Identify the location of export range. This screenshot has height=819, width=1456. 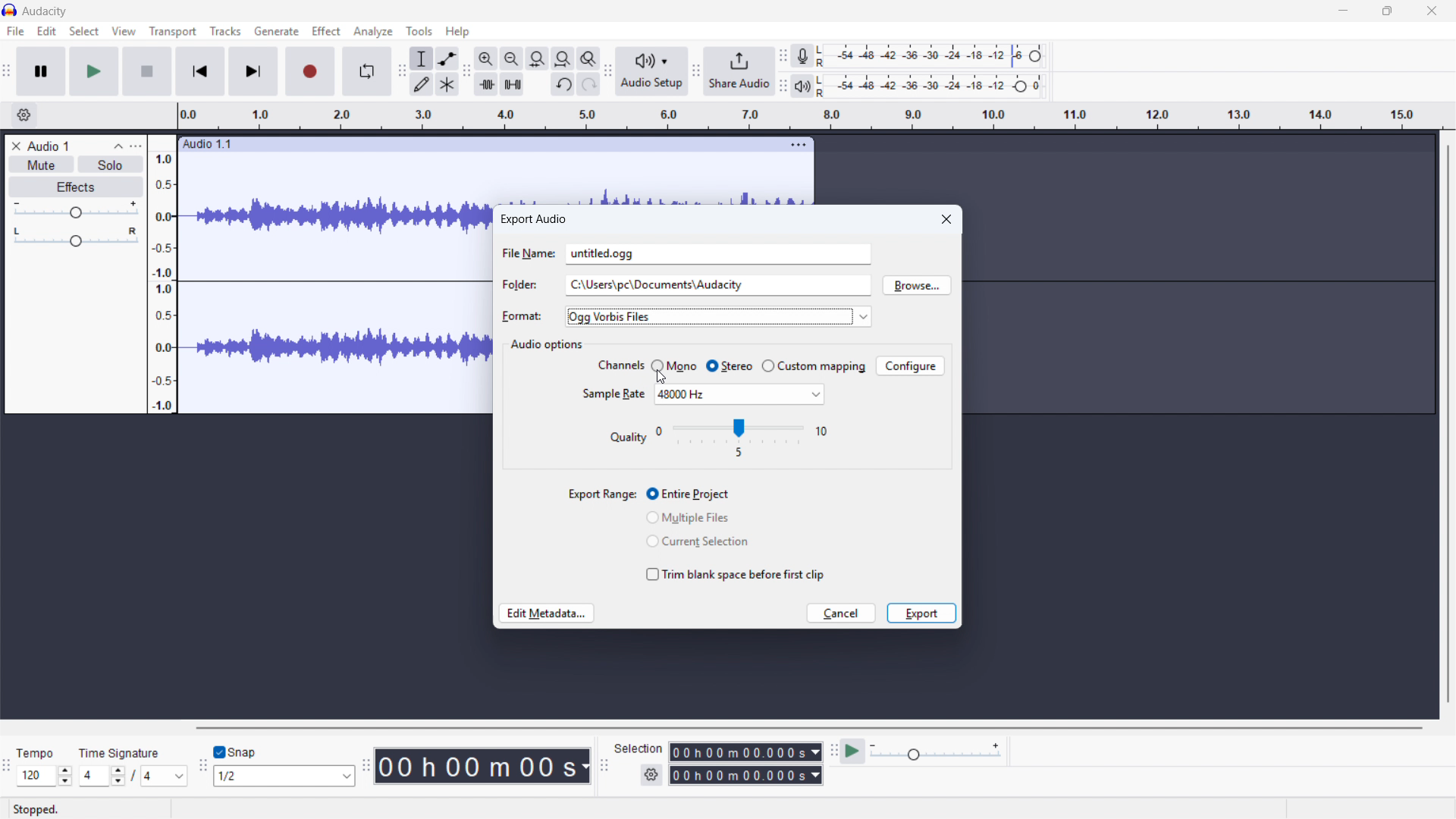
(604, 493).